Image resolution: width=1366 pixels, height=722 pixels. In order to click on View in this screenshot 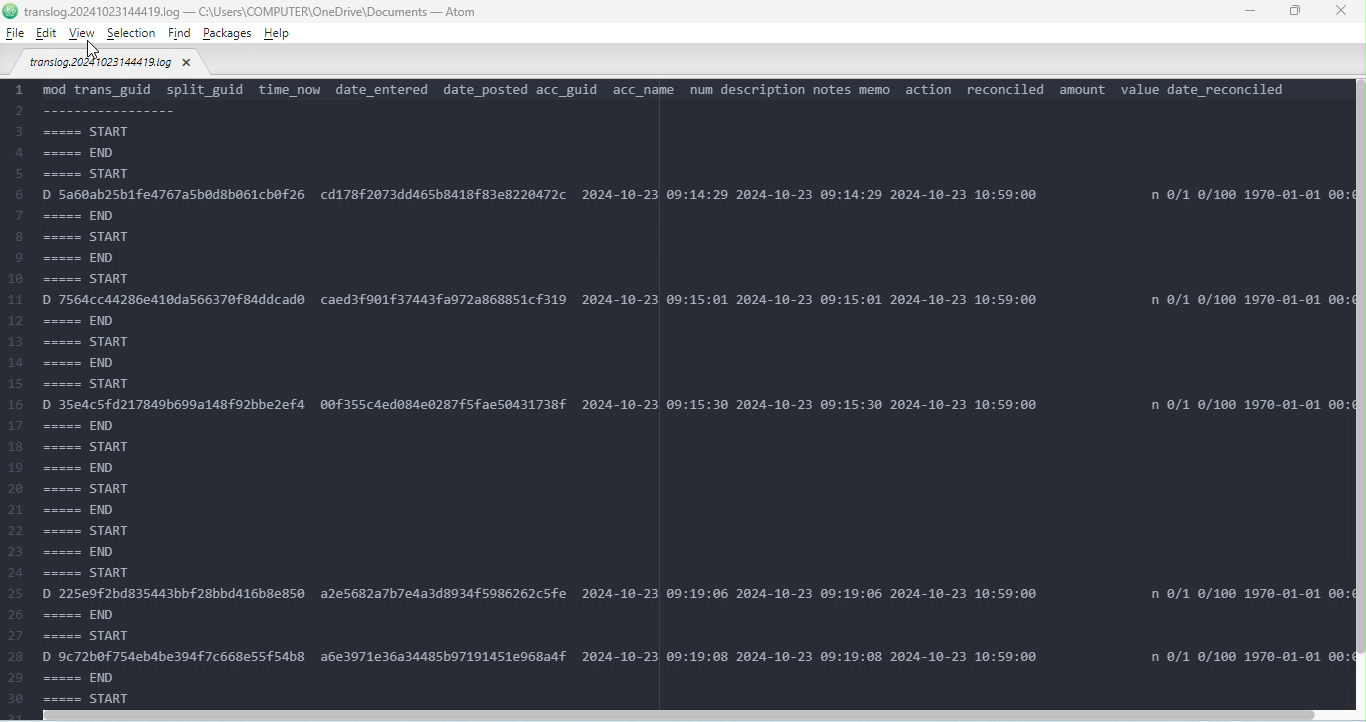, I will do `click(85, 33)`.